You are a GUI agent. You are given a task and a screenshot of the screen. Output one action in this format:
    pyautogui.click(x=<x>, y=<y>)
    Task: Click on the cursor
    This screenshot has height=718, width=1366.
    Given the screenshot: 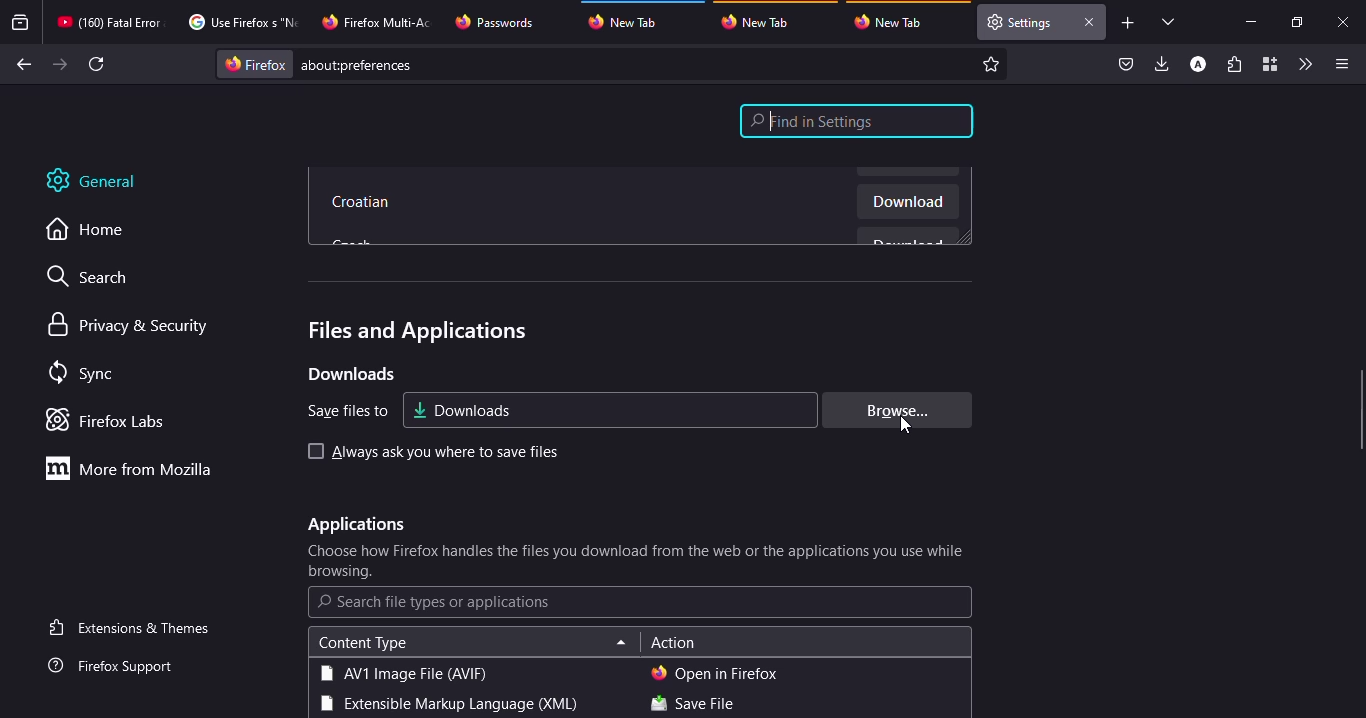 What is the action you would take?
    pyautogui.click(x=907, y=424)
    